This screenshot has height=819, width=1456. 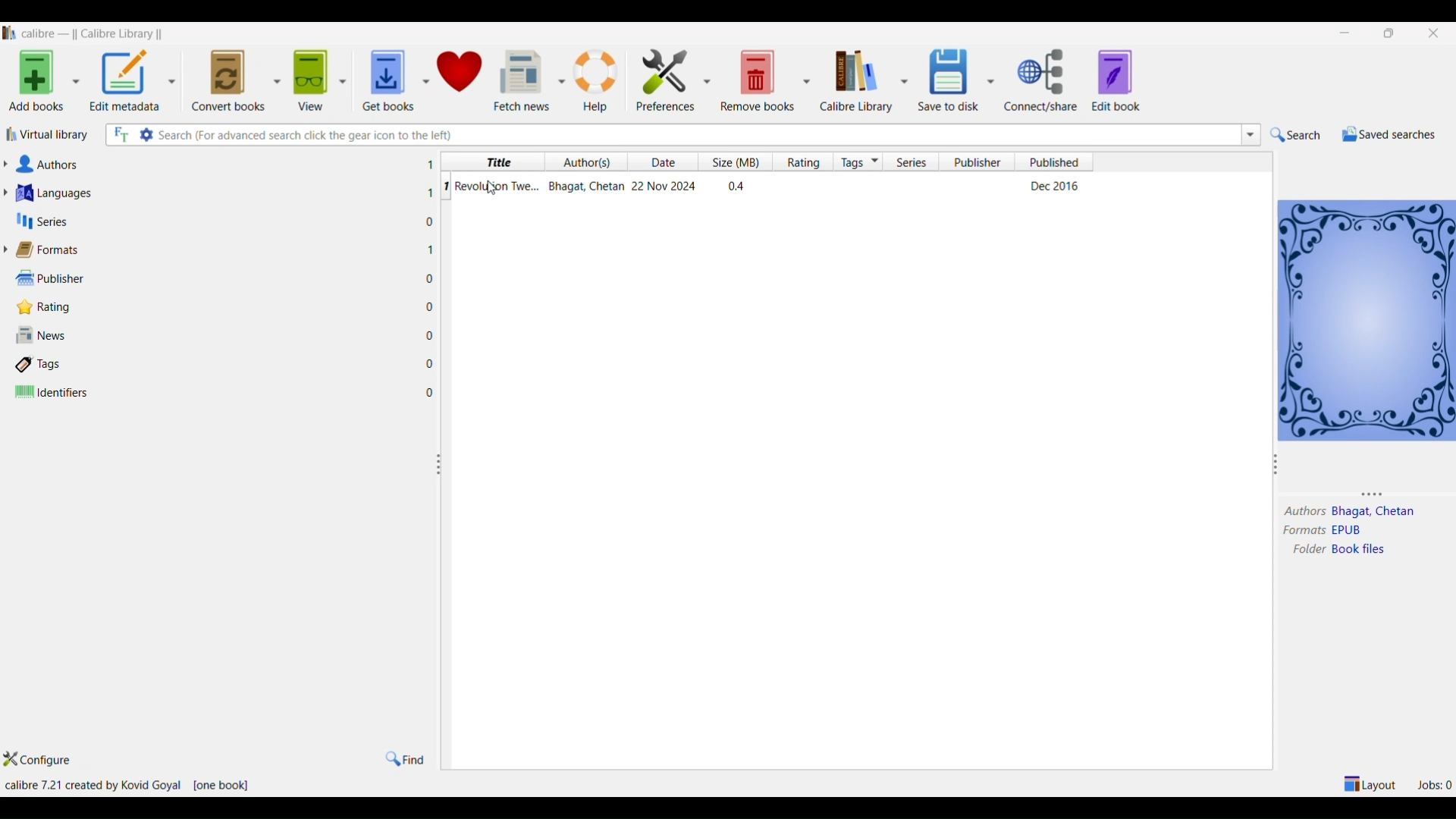 What do you see at coordinates (1376, 513) in the screenshot?
I see `author name` at bounding box center [1376, 513].